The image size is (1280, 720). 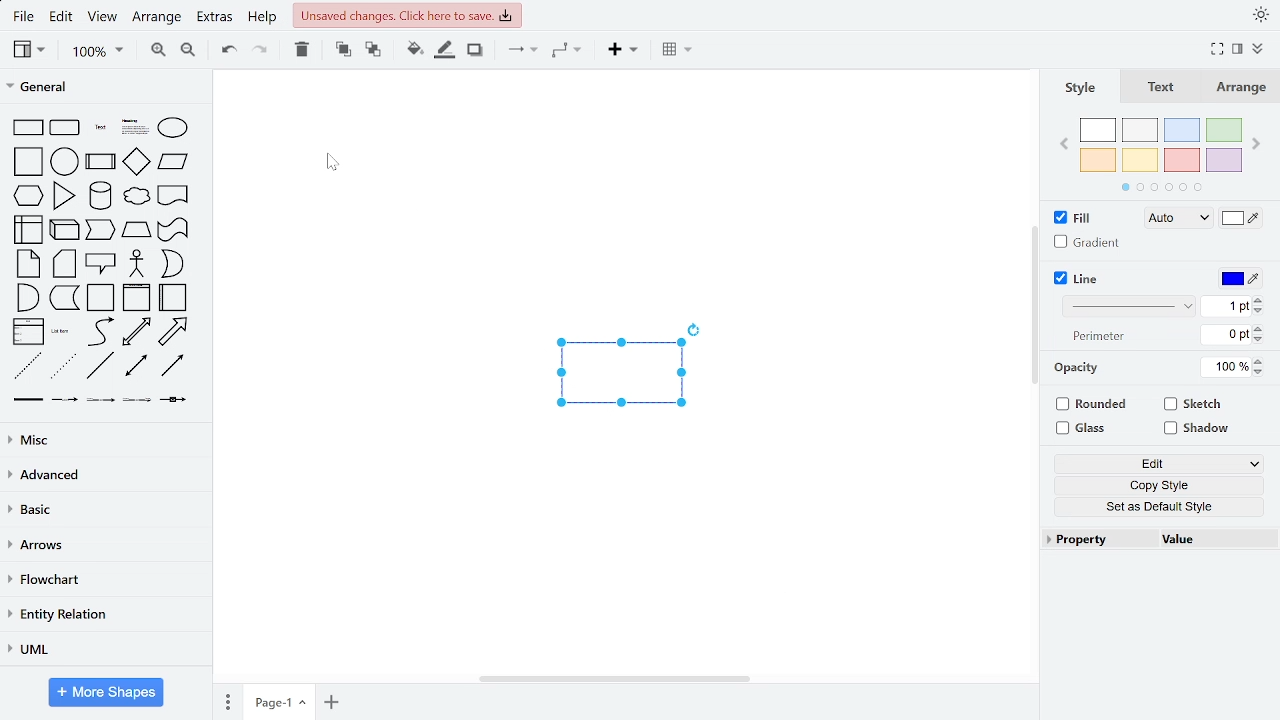 What do you see at coordinates (414, 51) in the screenshot?
I see `fill color` at bounding box center [414, 51].